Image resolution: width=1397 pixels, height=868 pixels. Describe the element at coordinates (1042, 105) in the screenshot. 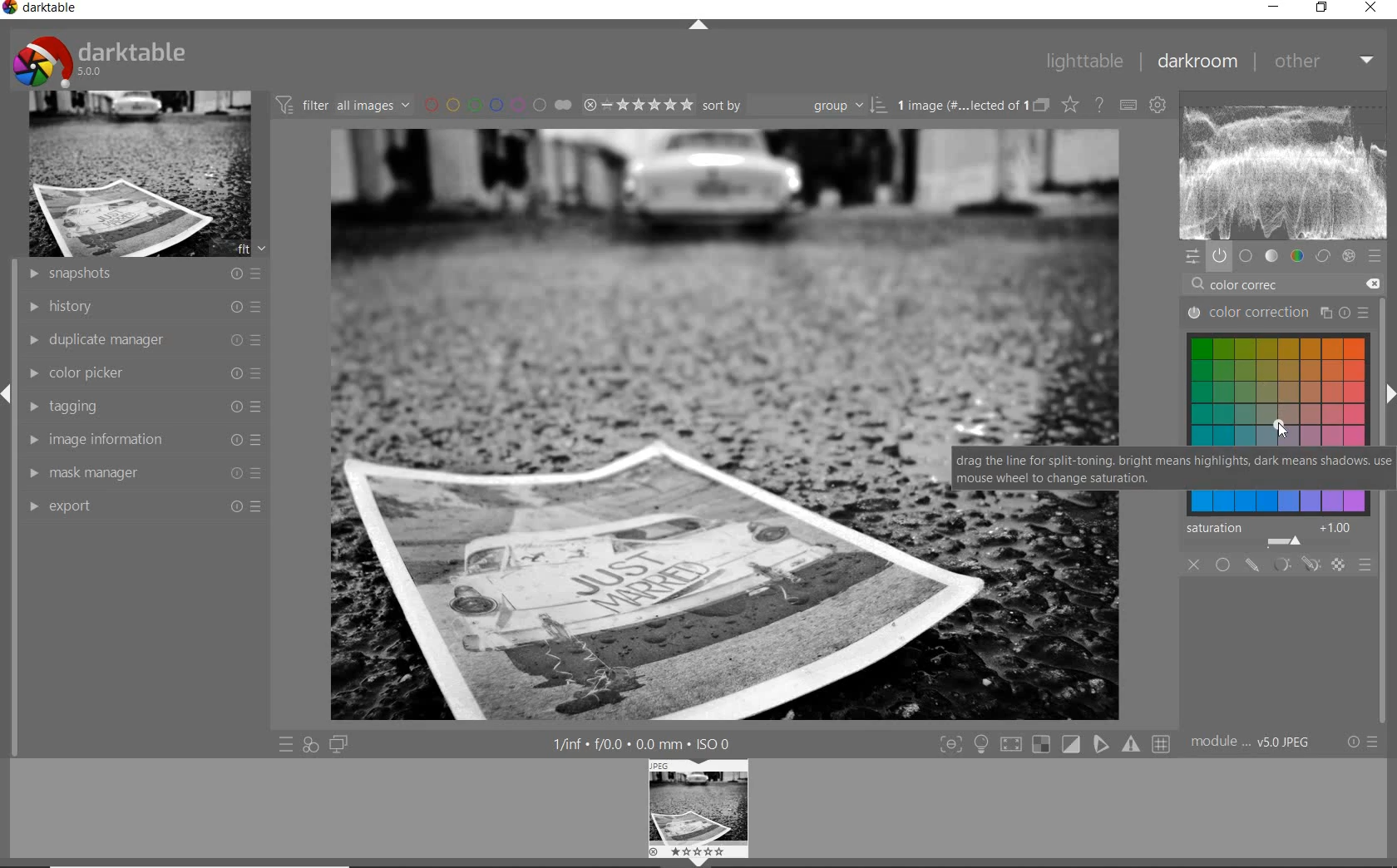

I see `collapsed grouped images` at that location.